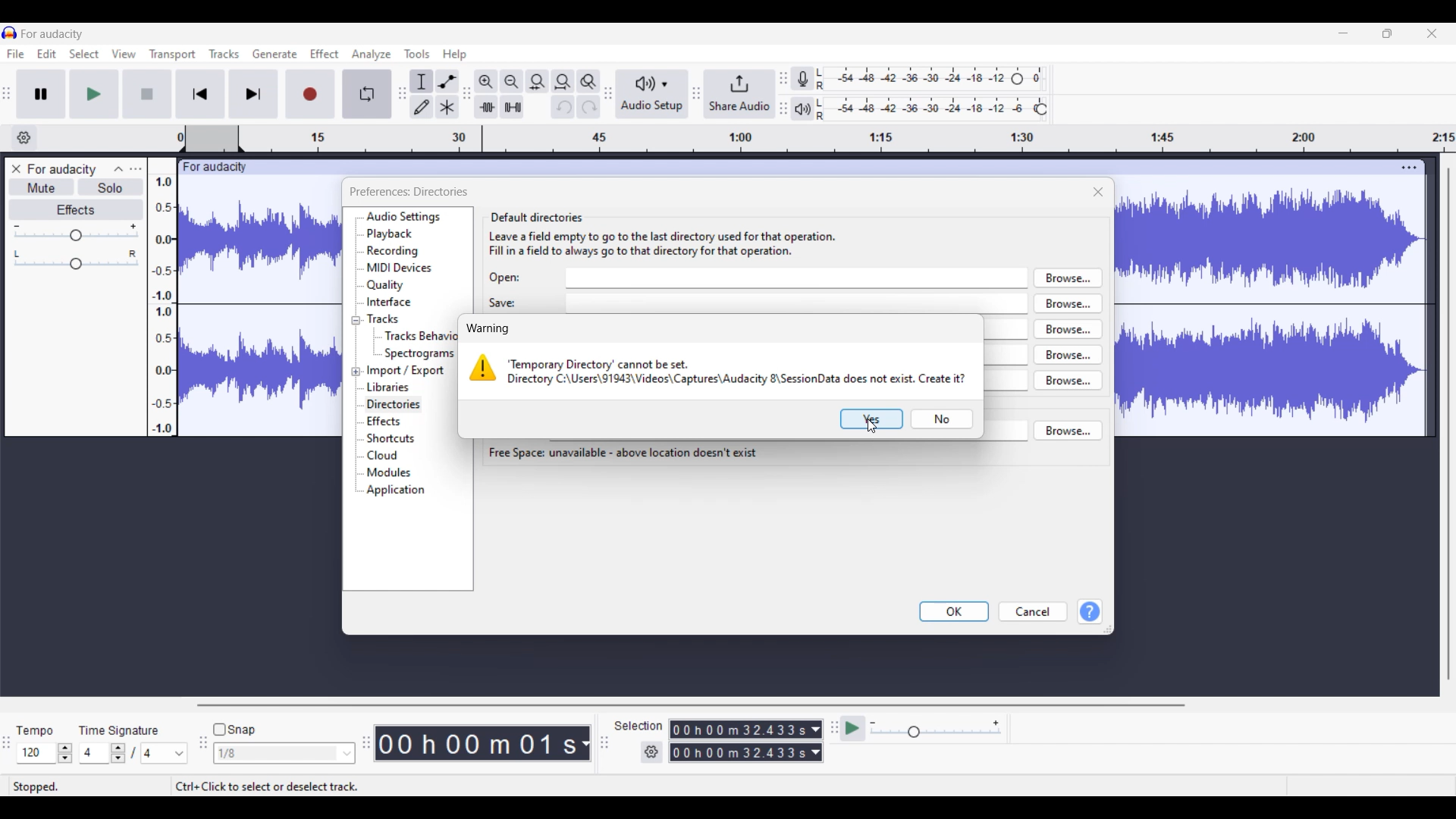 Image resolution: width=1456 pixels, height=819 pixels. What do you see at coordinates (1257, 297) in the screenshot?
I see `Current track` at bounding box center [1257, 297].